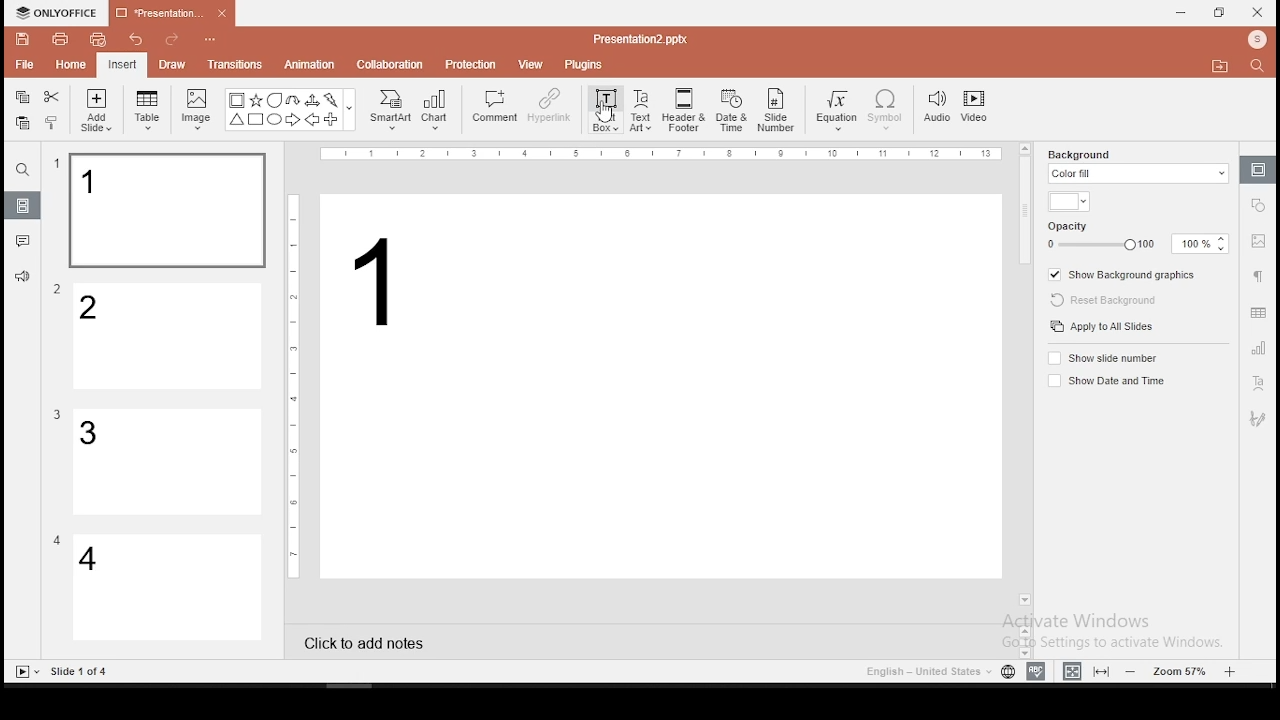 This screenshot has height=720, width=1280. Describe the element at coordinates (1007, 672) in the screenshot. I see `language` at that location.